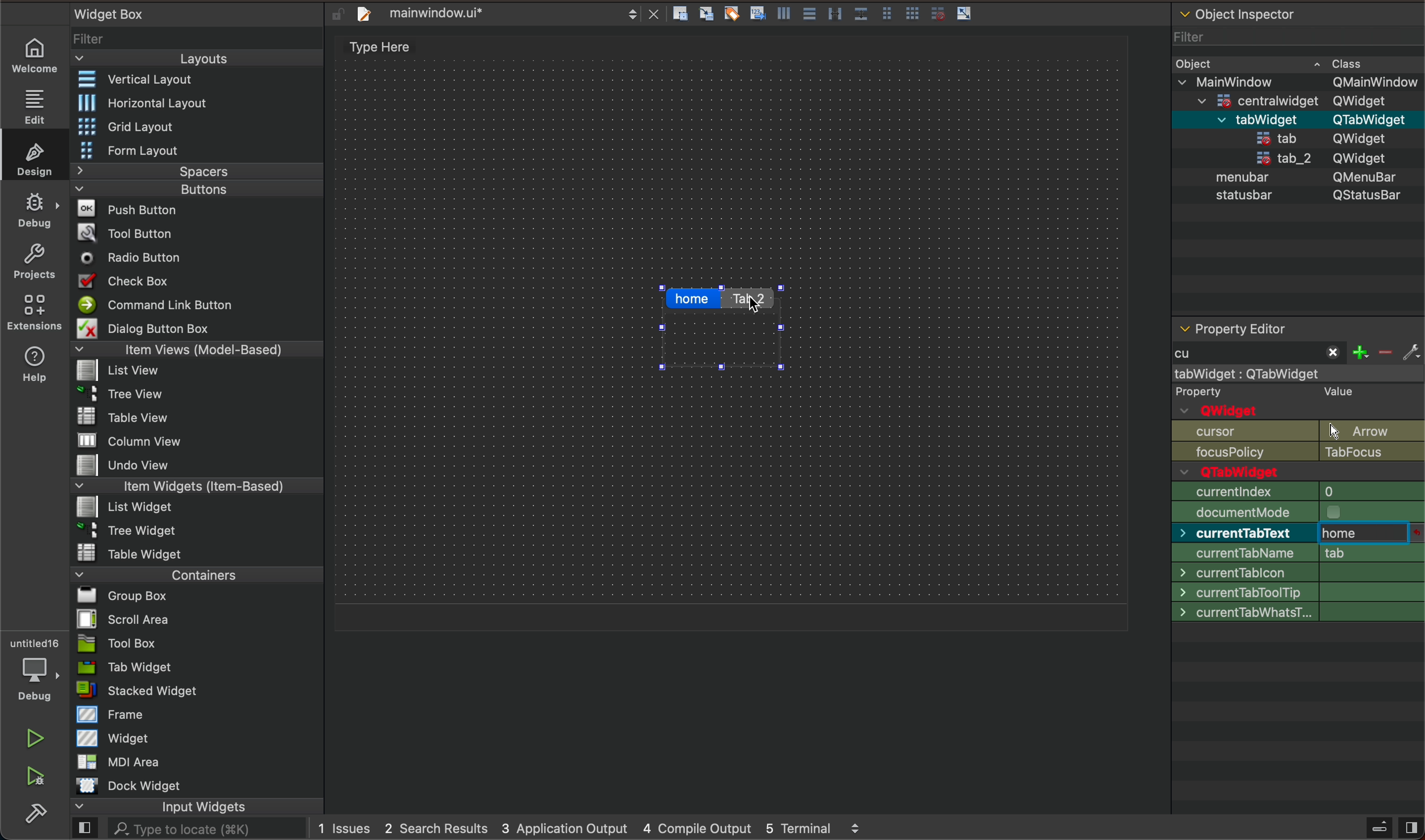 This screenshot has height=840, width=1425. What do you see at coordinates (1362, 157) in the screenshot?
I see `QWidget` at bounding box center [1362, 157].